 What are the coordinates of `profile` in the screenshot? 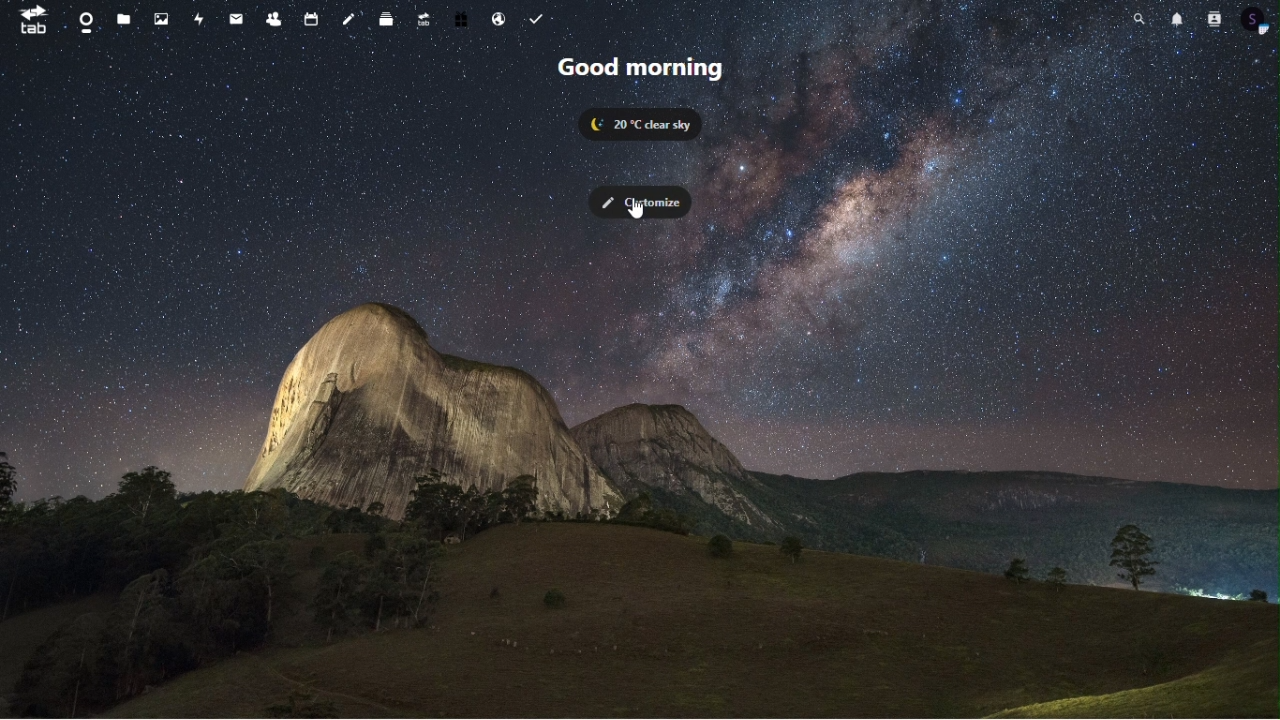 It's located at (1256, 23).